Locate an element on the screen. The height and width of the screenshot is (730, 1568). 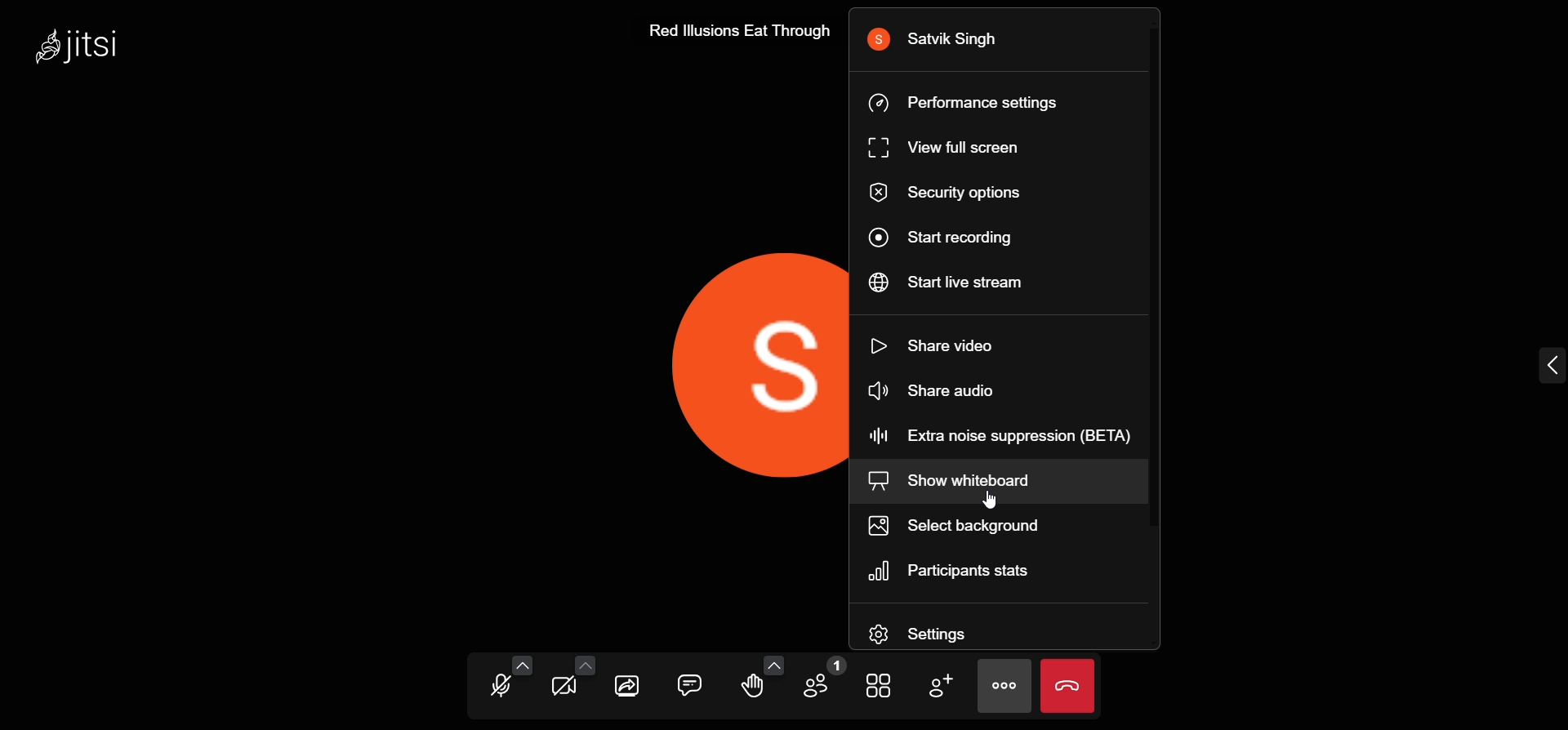
raise hand is located at coordinates (751, 688).